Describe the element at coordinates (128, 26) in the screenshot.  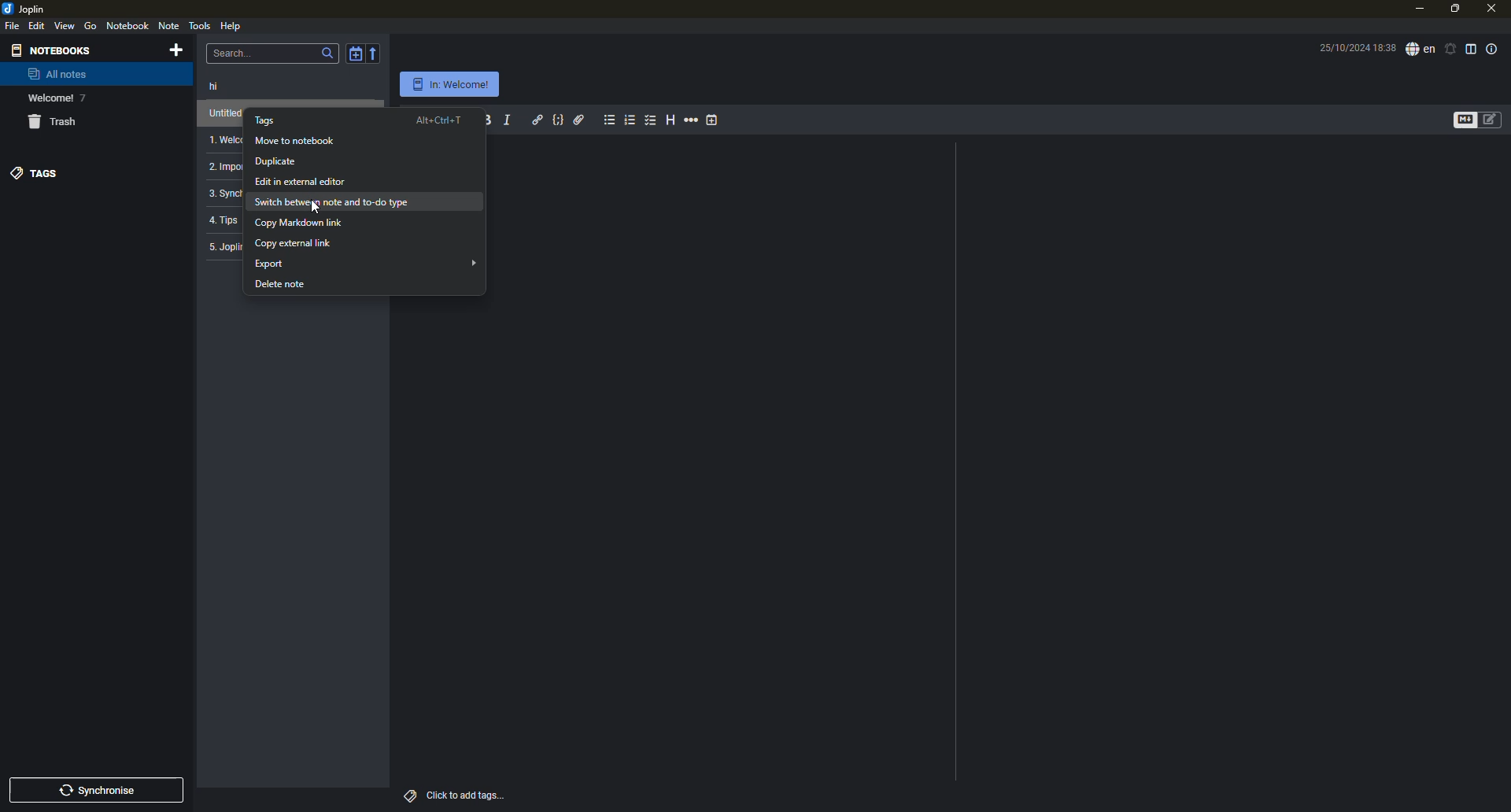
I see `notebook` at that location.